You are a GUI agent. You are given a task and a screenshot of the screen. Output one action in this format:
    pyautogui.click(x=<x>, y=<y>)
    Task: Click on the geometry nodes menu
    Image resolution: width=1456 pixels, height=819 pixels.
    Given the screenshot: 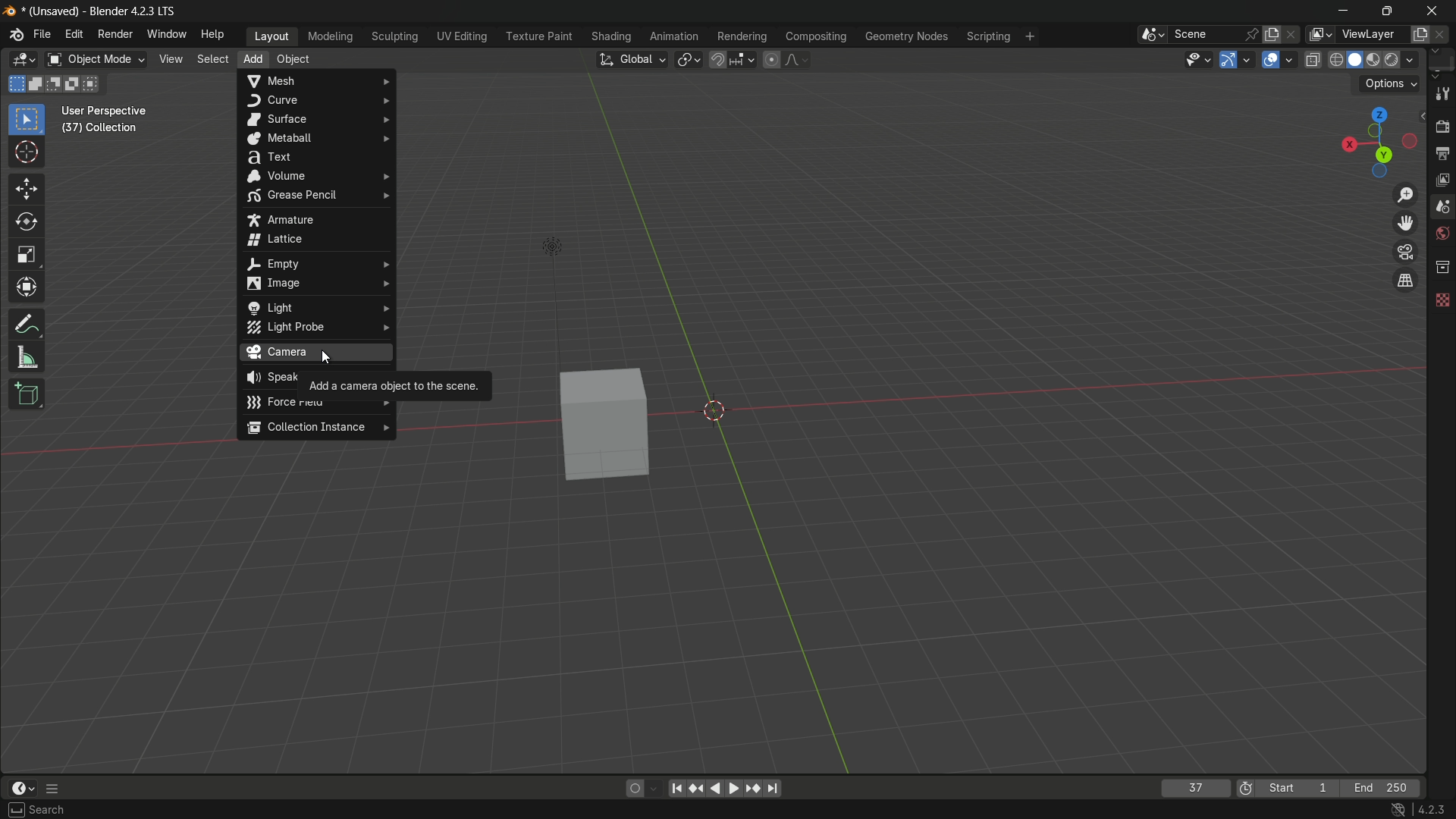 What is the action you would take?
    pyautogui.click(x=905, y=36)
    